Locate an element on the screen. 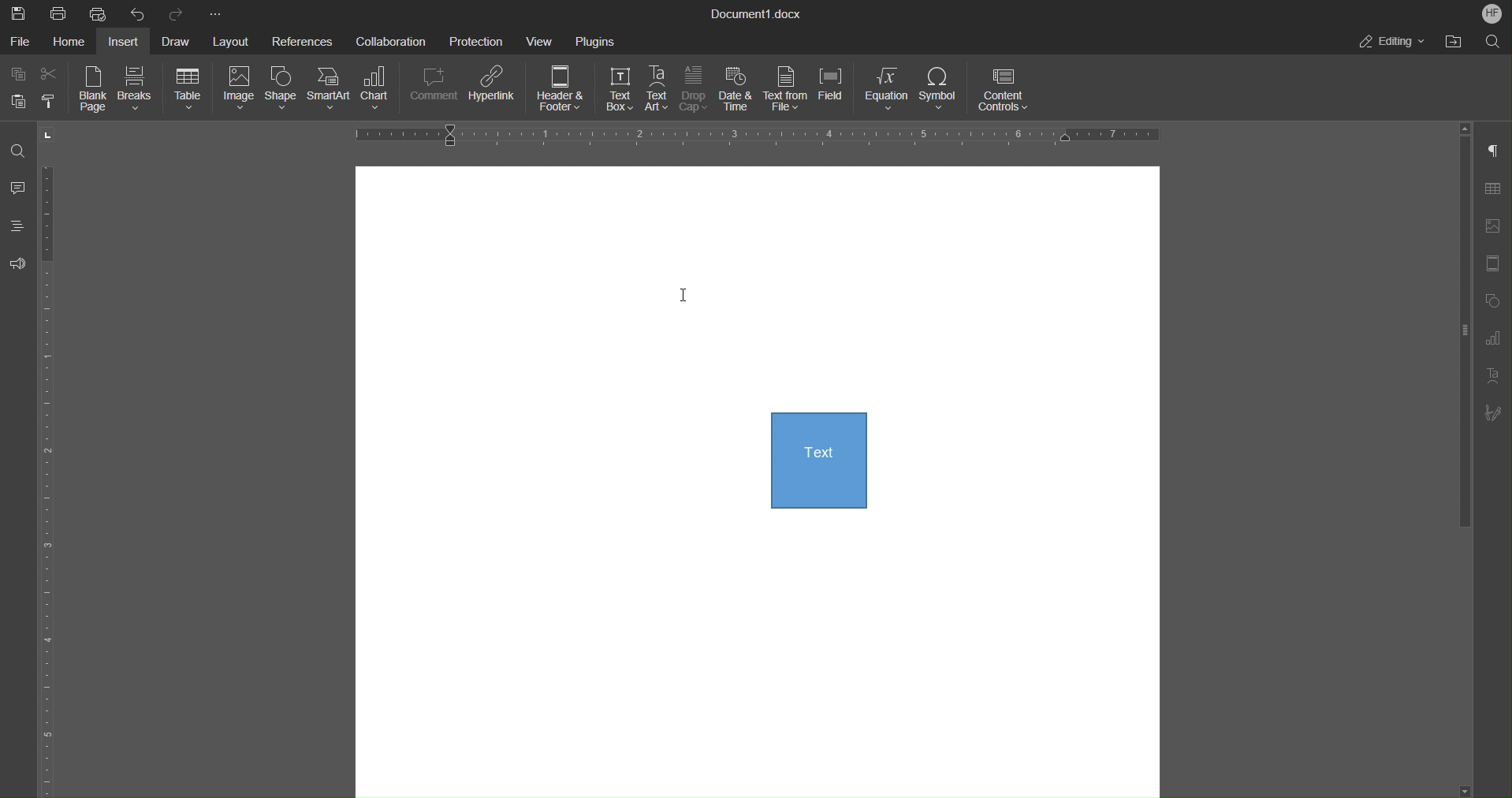 This screenshot has height=798, width=1512. Shape is located at coordinates (281, 91).